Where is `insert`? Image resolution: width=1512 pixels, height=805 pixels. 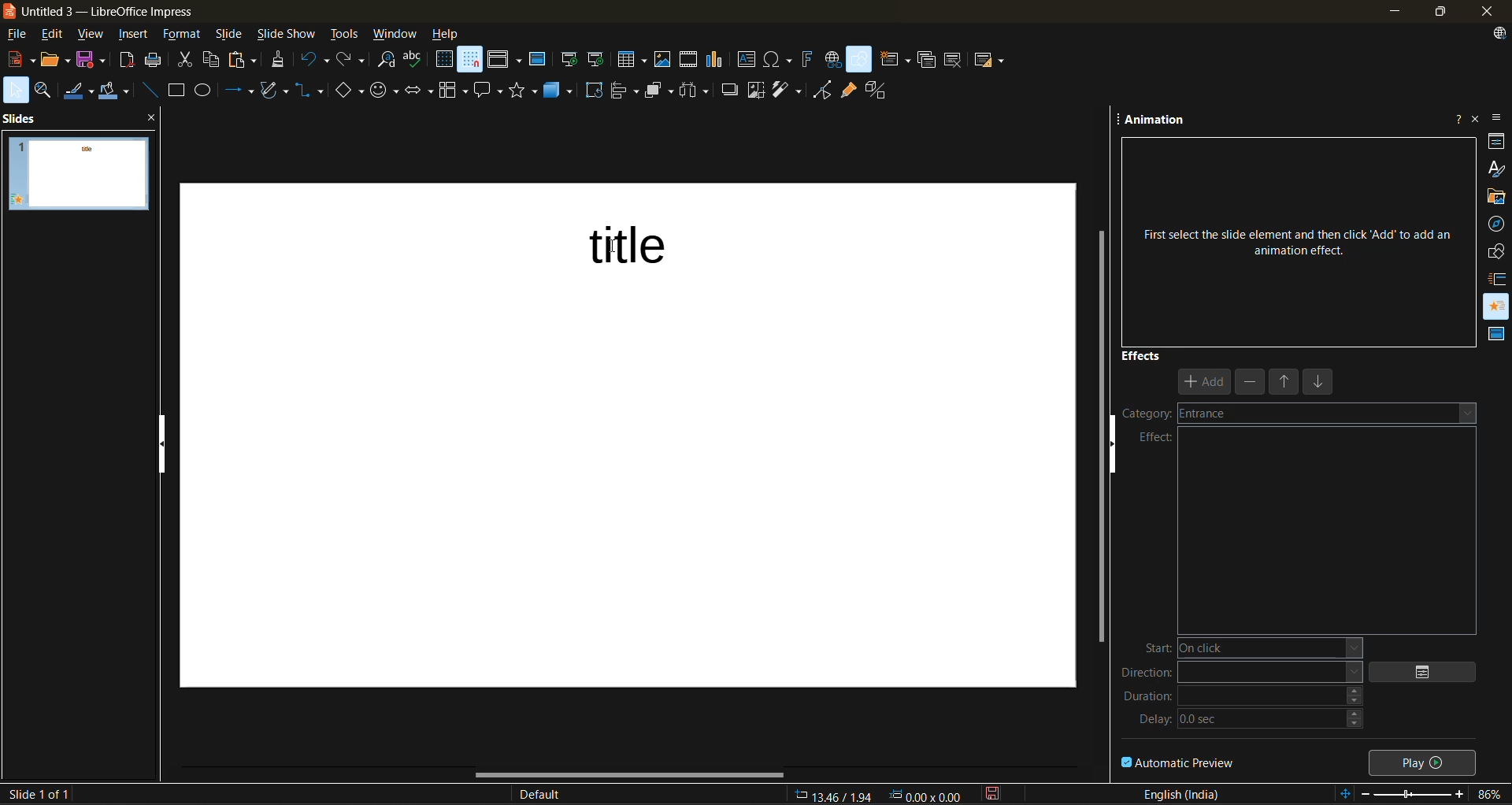 insert is located at coordinates (137, 36).